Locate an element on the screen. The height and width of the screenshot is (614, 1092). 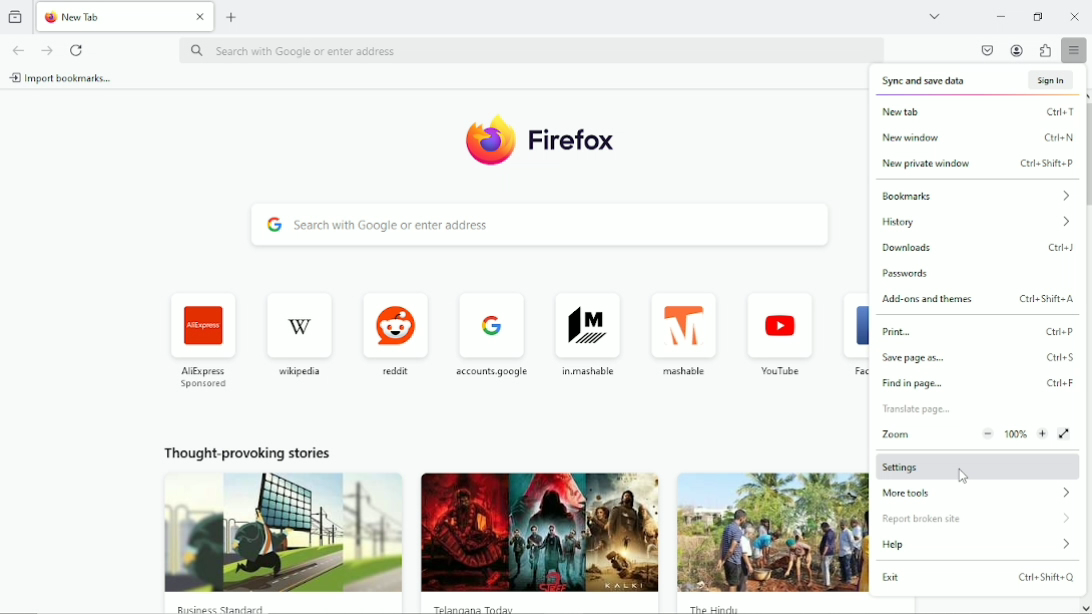
New private window is located at coordinates (977, 164).